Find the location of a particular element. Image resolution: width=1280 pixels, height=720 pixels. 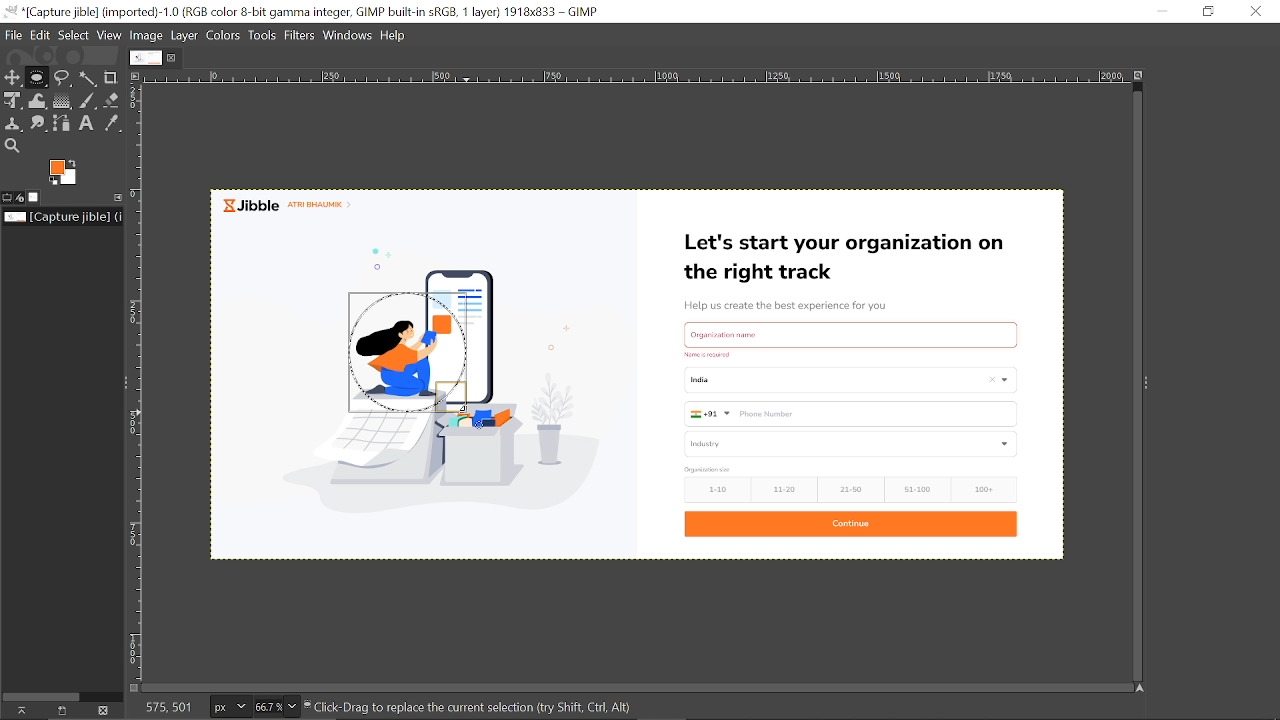

Free select tool is located at coordinates (64, 78).